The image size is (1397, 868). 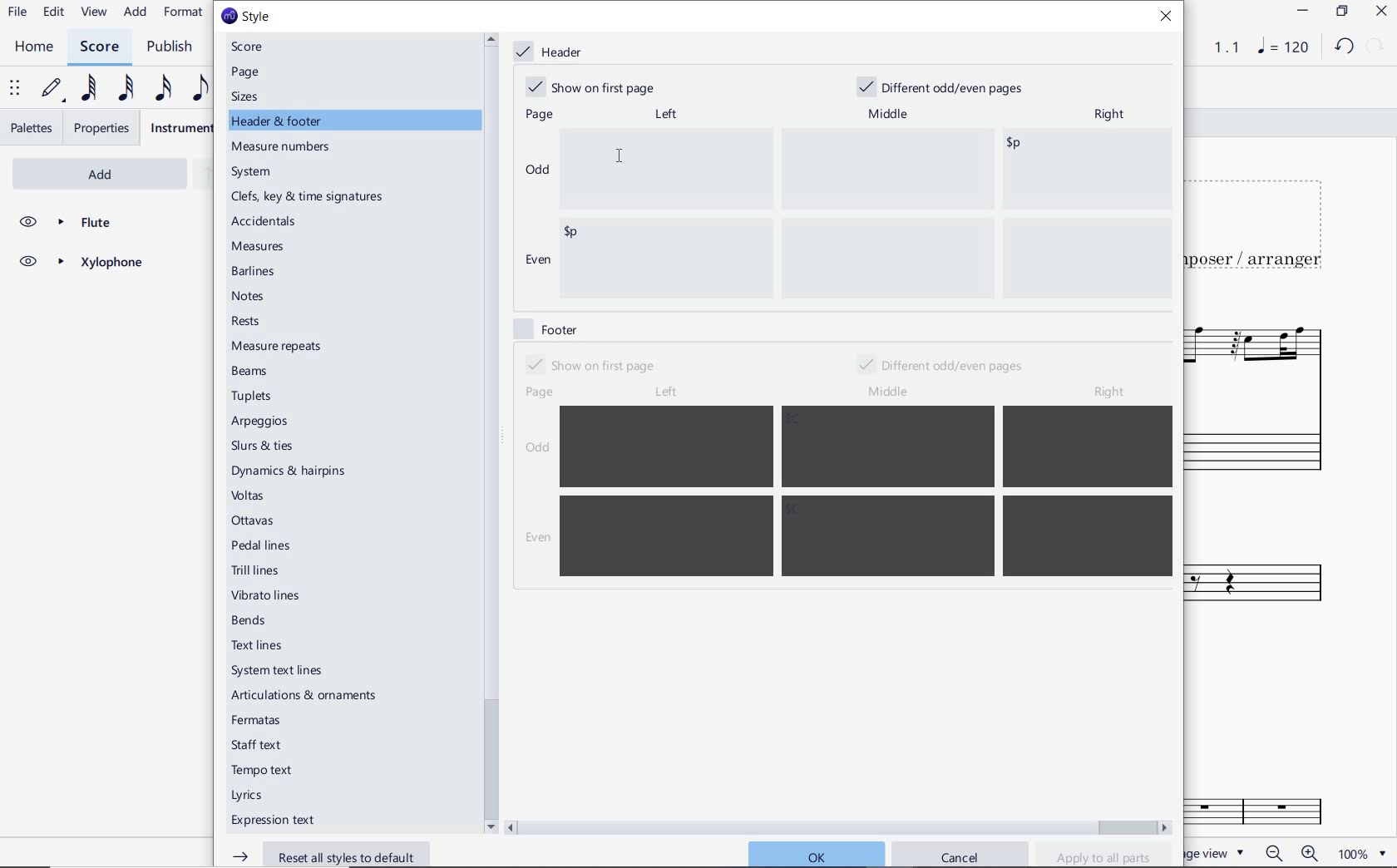 What do you see at coordinates (254, 47) in the screenshot?
I see `score` at bounding box center [254, 47].